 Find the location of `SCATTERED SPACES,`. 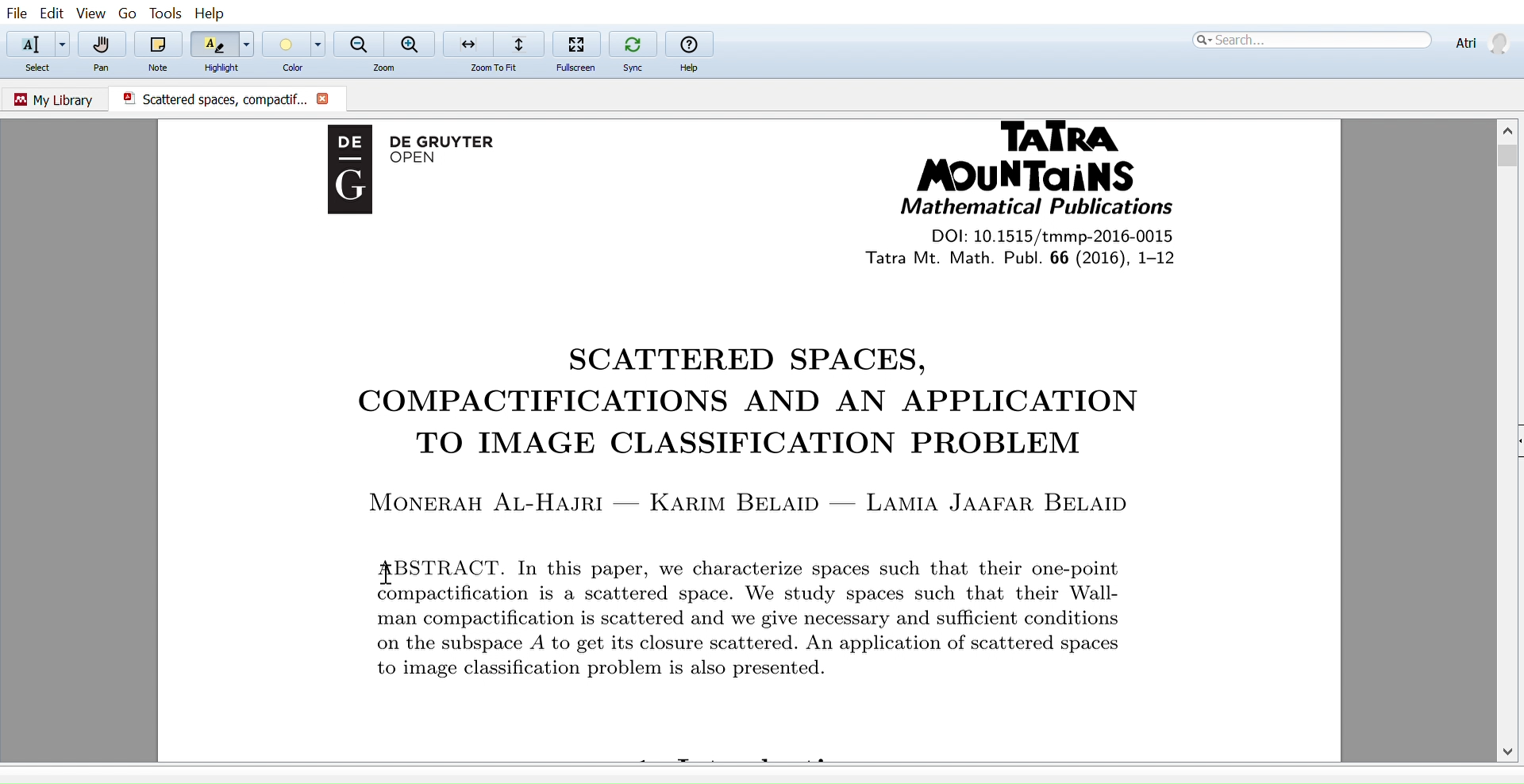

SCATTERED SPACES, is located at coordinates (749, 359).